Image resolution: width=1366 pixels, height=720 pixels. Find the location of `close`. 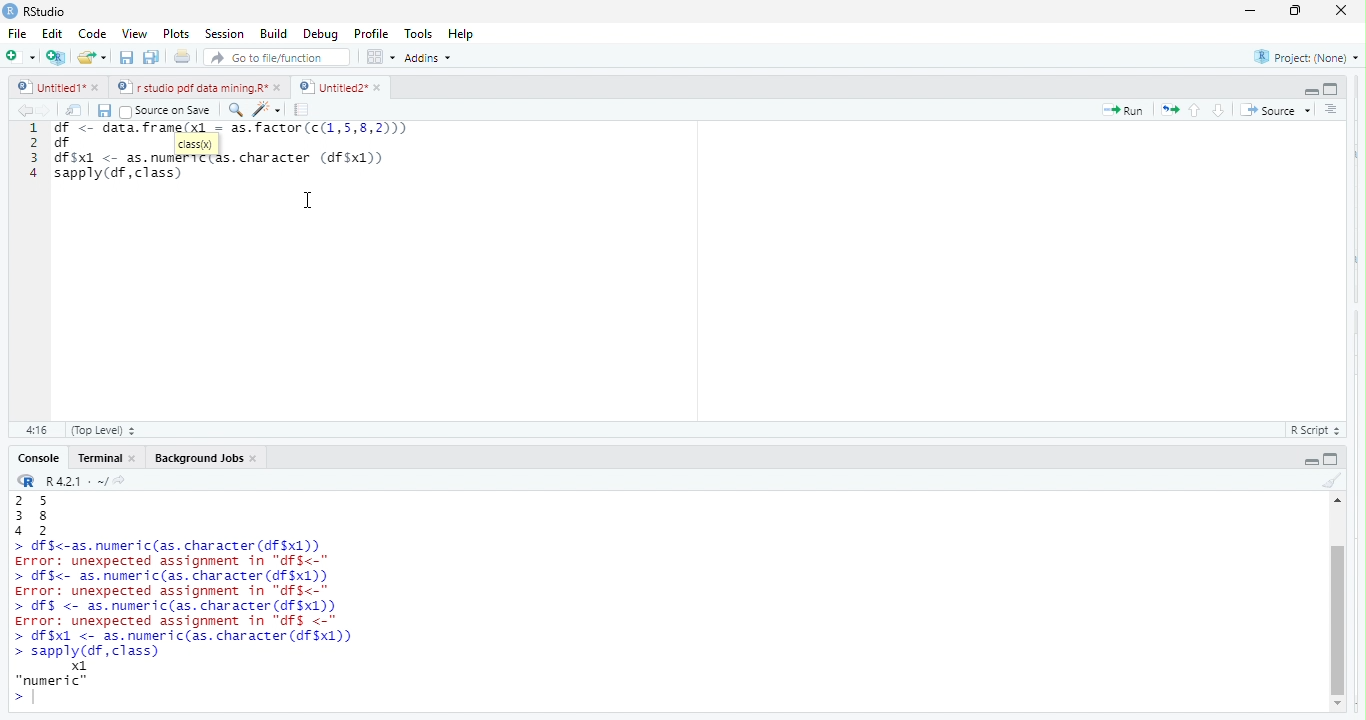

close is located at coordinates (279, 89).